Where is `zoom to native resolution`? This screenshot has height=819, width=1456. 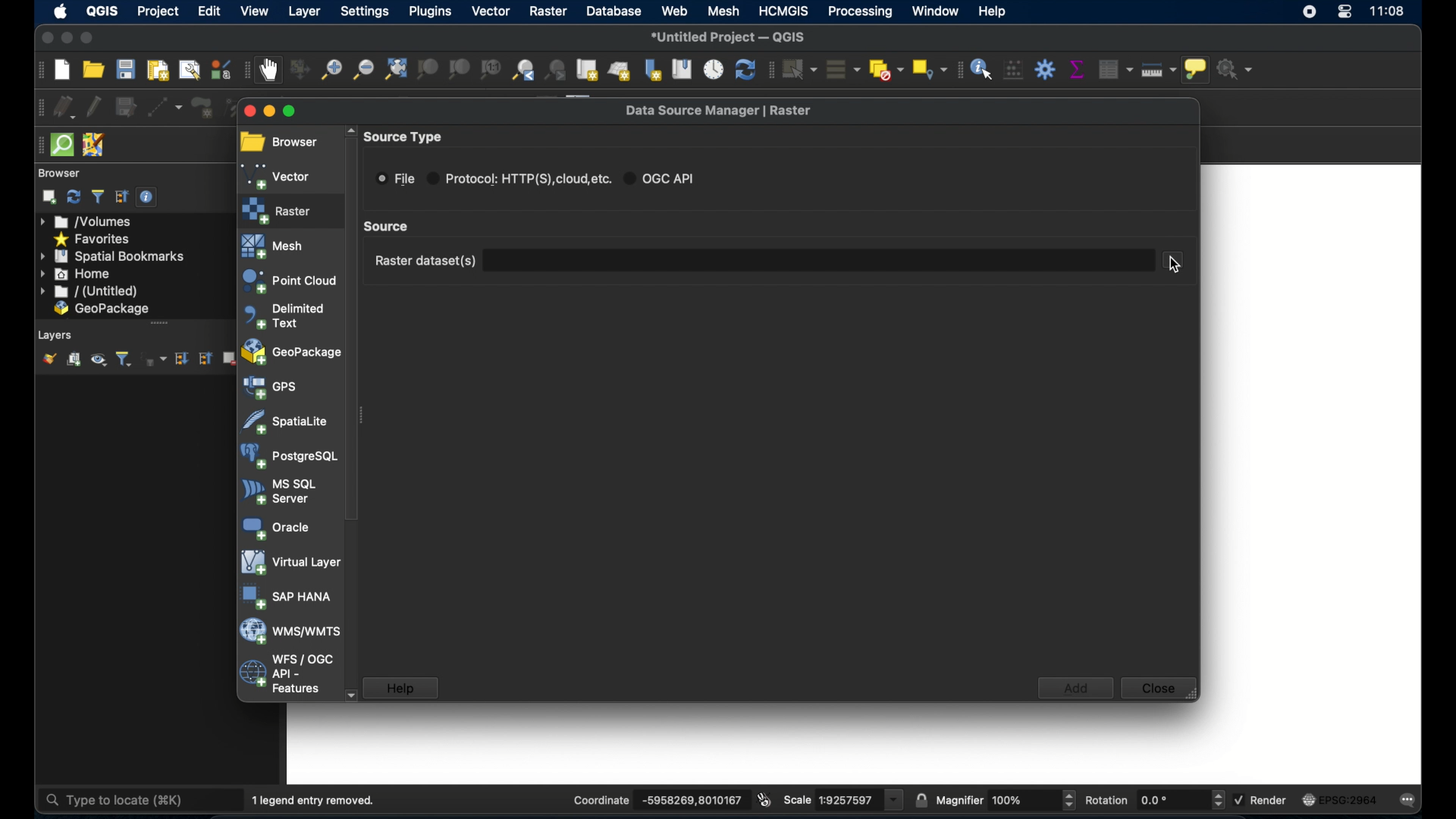 zoom to native resolution is located at coordinates (491, 69).